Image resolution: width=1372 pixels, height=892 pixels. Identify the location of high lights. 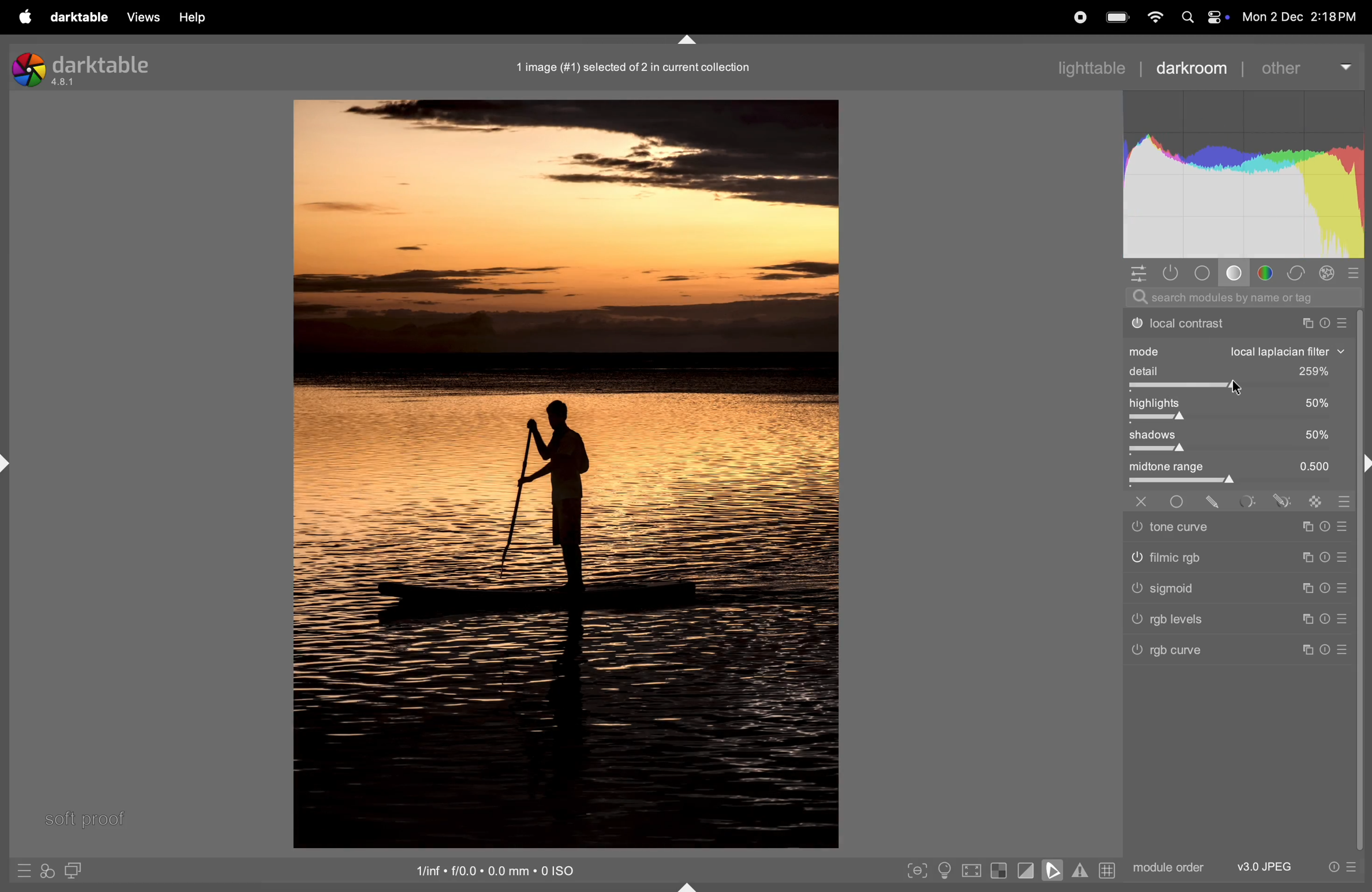
(1240, 405).